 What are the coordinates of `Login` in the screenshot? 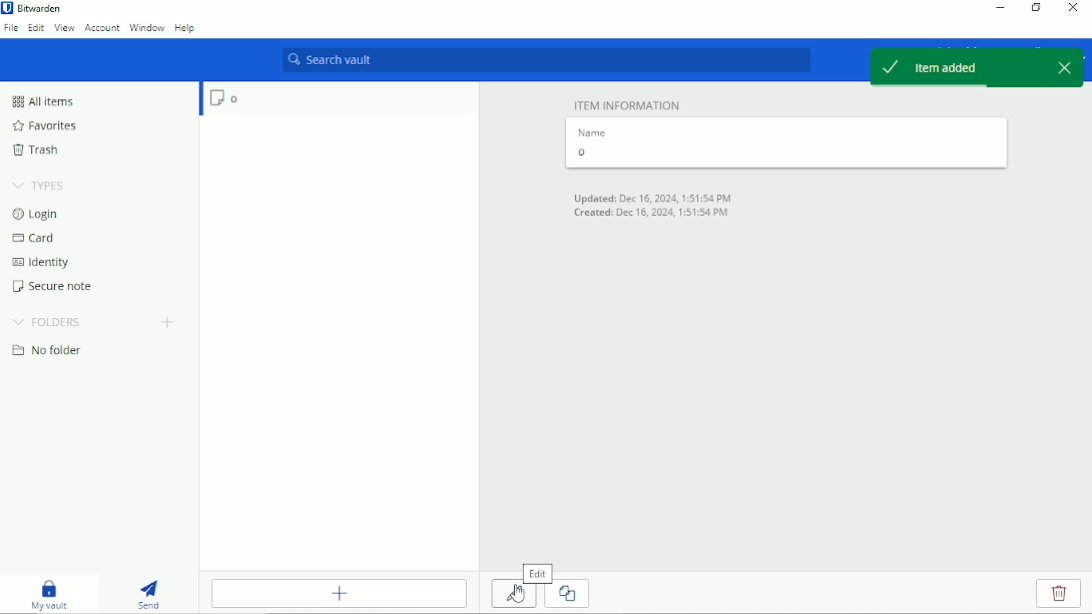 It's located at (37, 213).